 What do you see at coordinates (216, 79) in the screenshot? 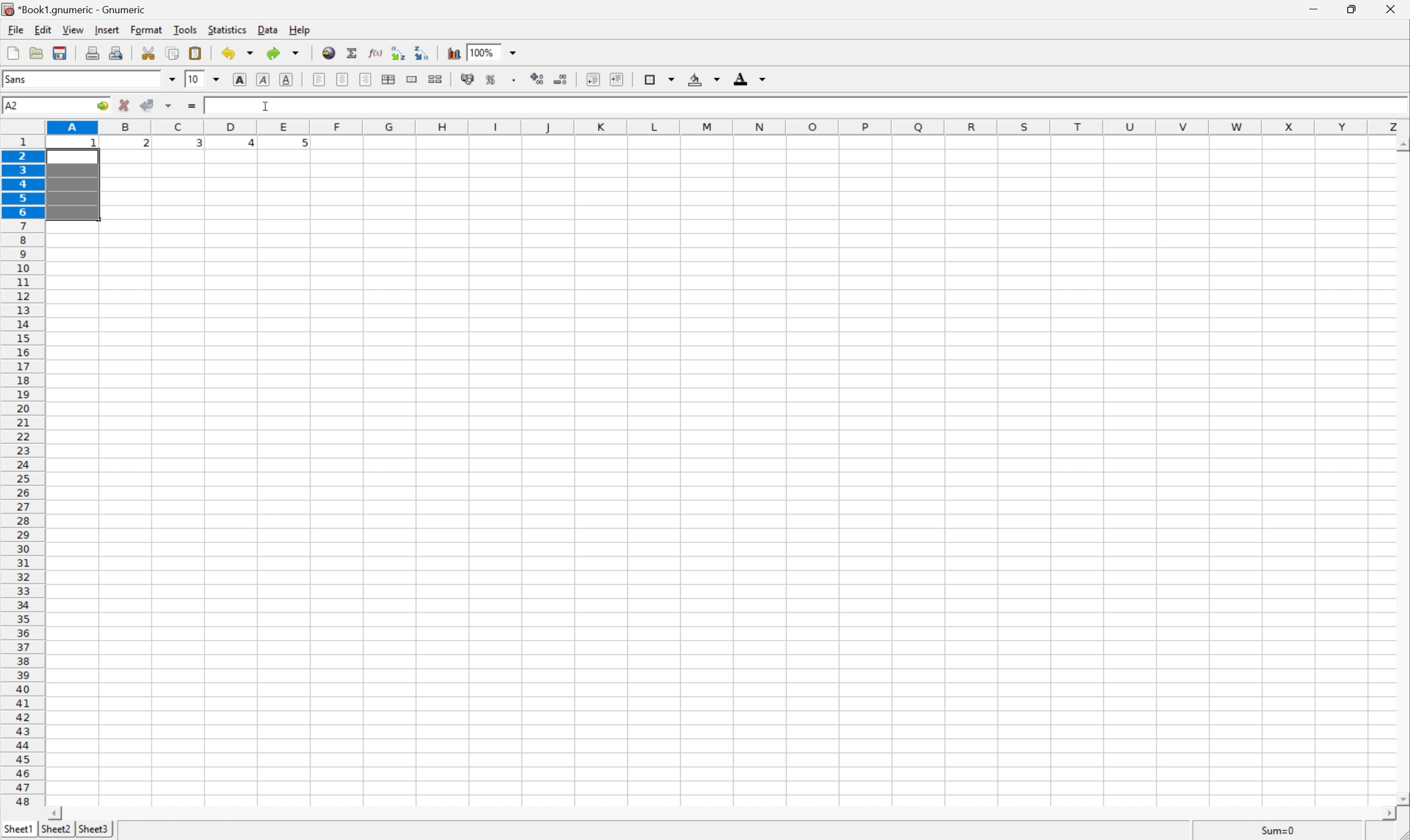
I see `drop down` at bounding box center [216, 79].